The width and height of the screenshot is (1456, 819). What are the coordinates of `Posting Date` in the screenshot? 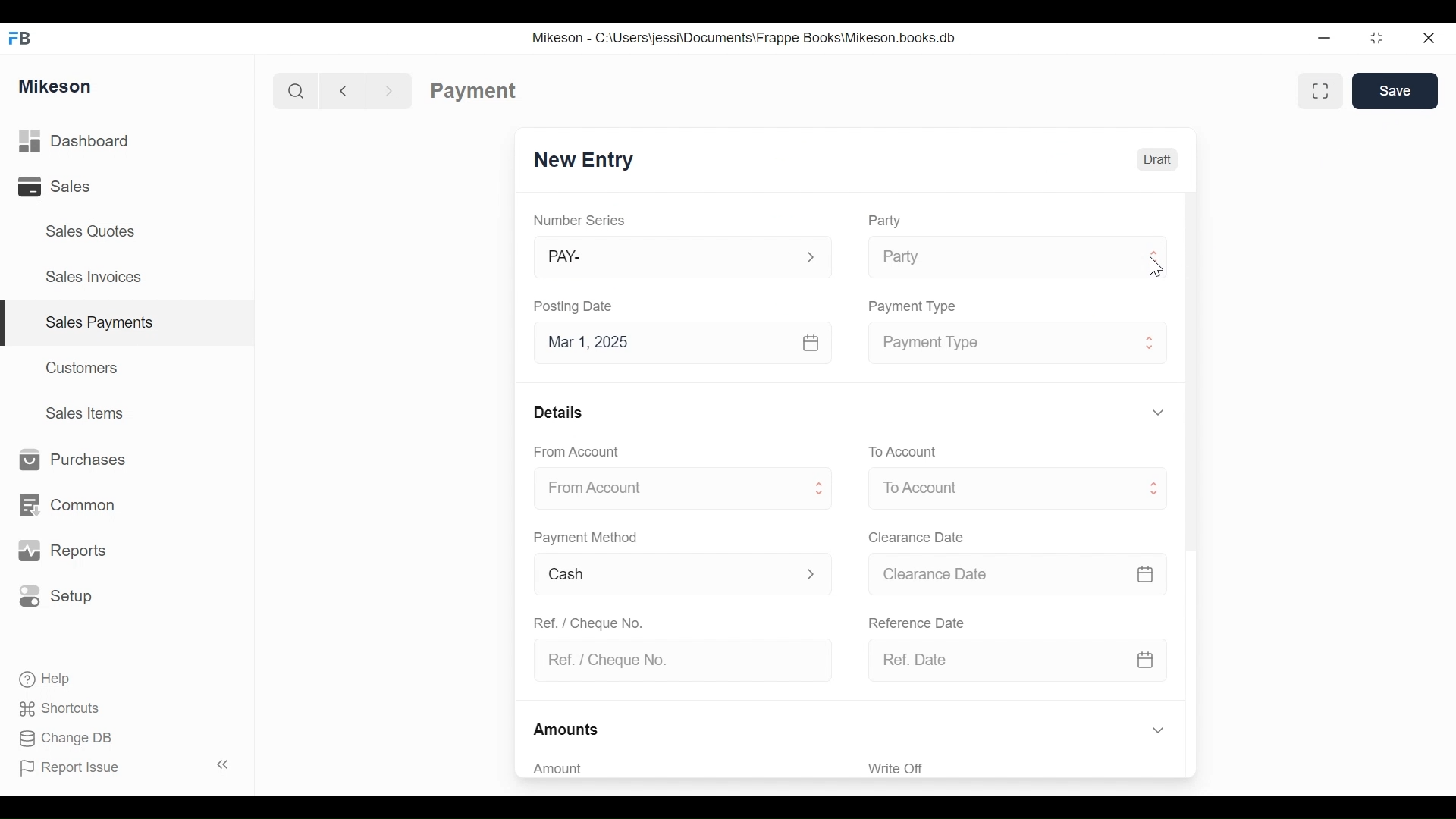 It's located at (582, 307).